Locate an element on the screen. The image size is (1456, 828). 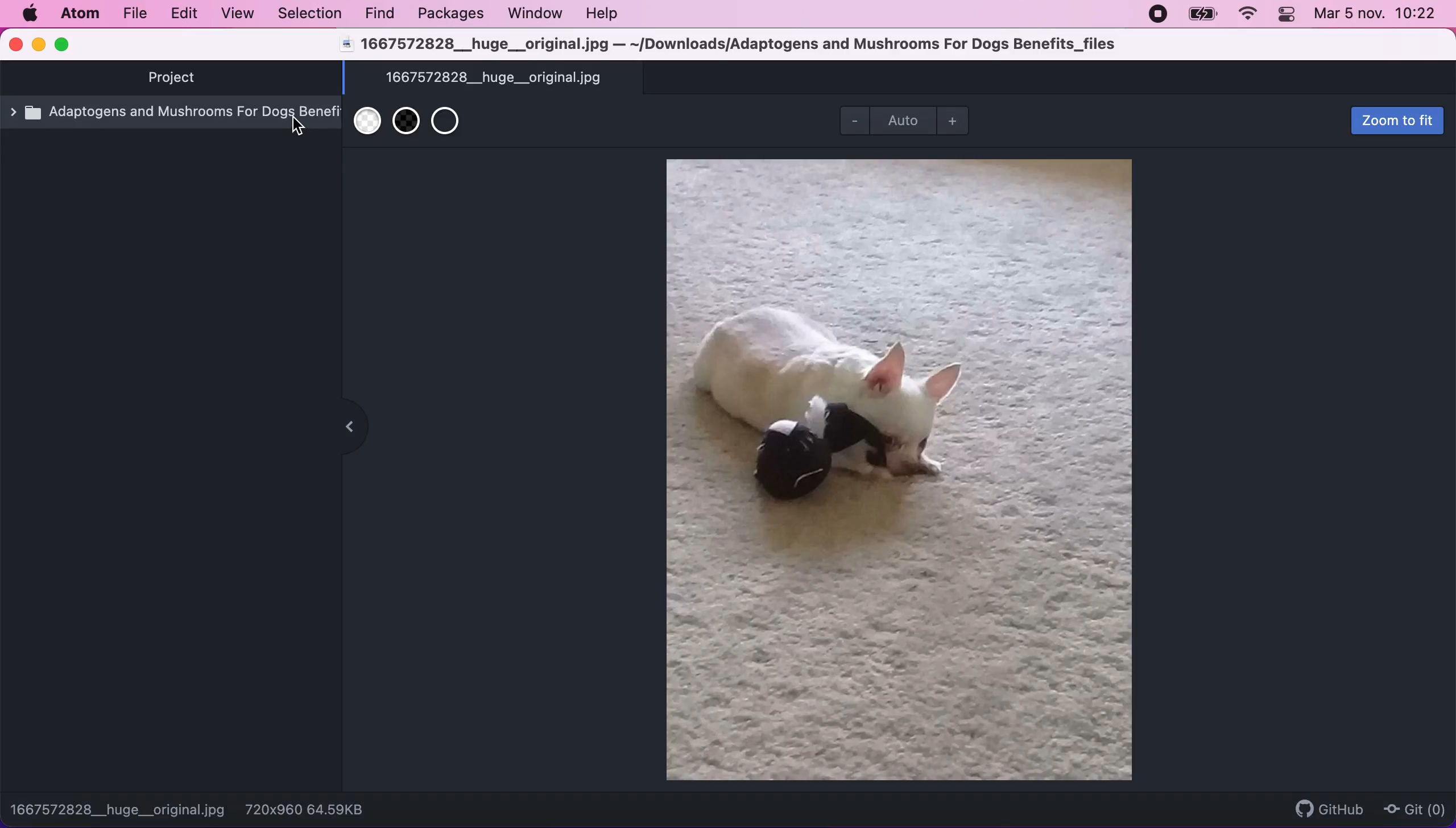
zoom out is located at coordinates (847, 121).